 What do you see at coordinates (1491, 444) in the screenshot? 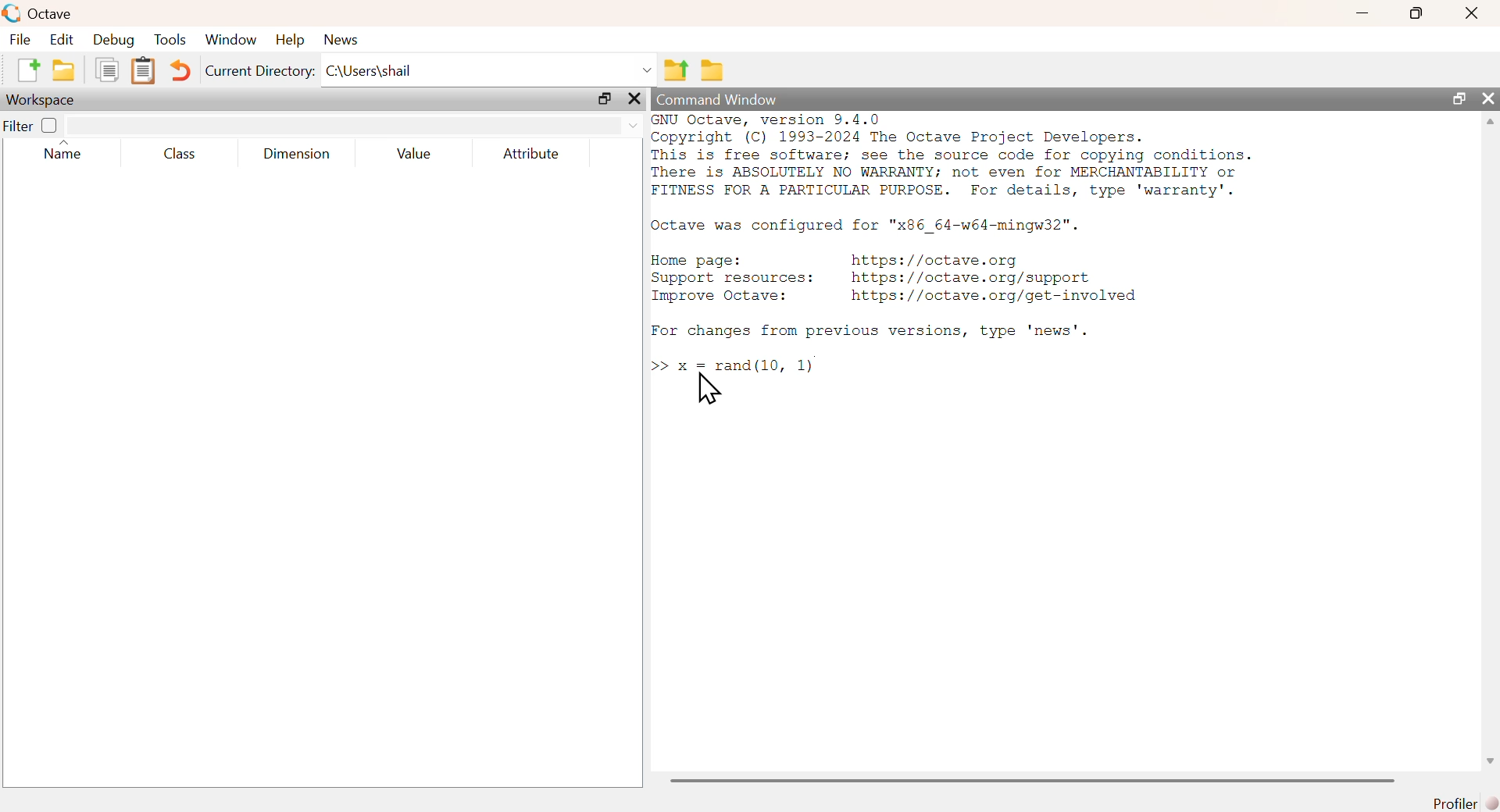
I see `scrollbar` at bounding box center [1491, 444].